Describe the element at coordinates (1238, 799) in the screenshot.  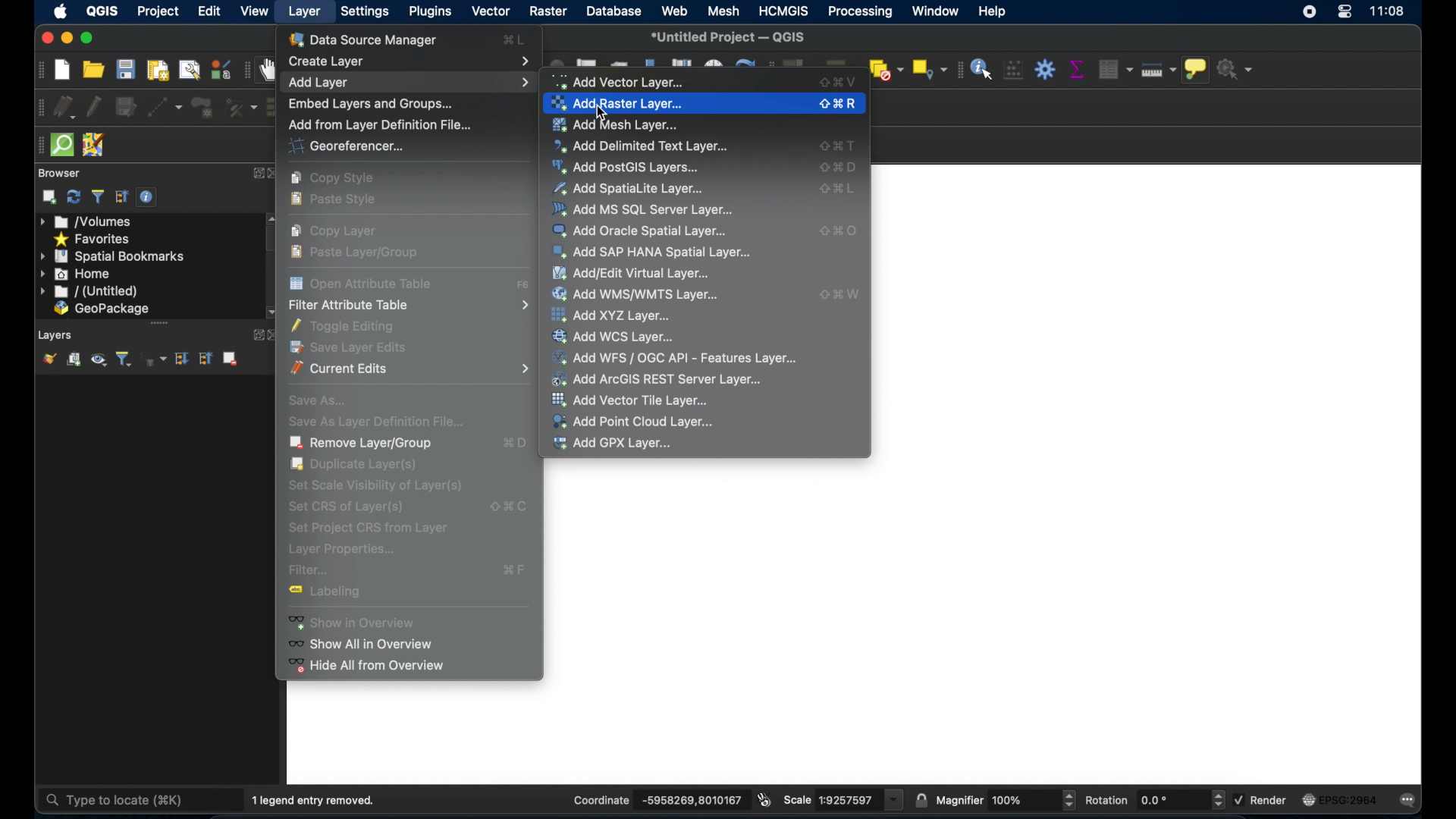
I see `checkbox` at that location.